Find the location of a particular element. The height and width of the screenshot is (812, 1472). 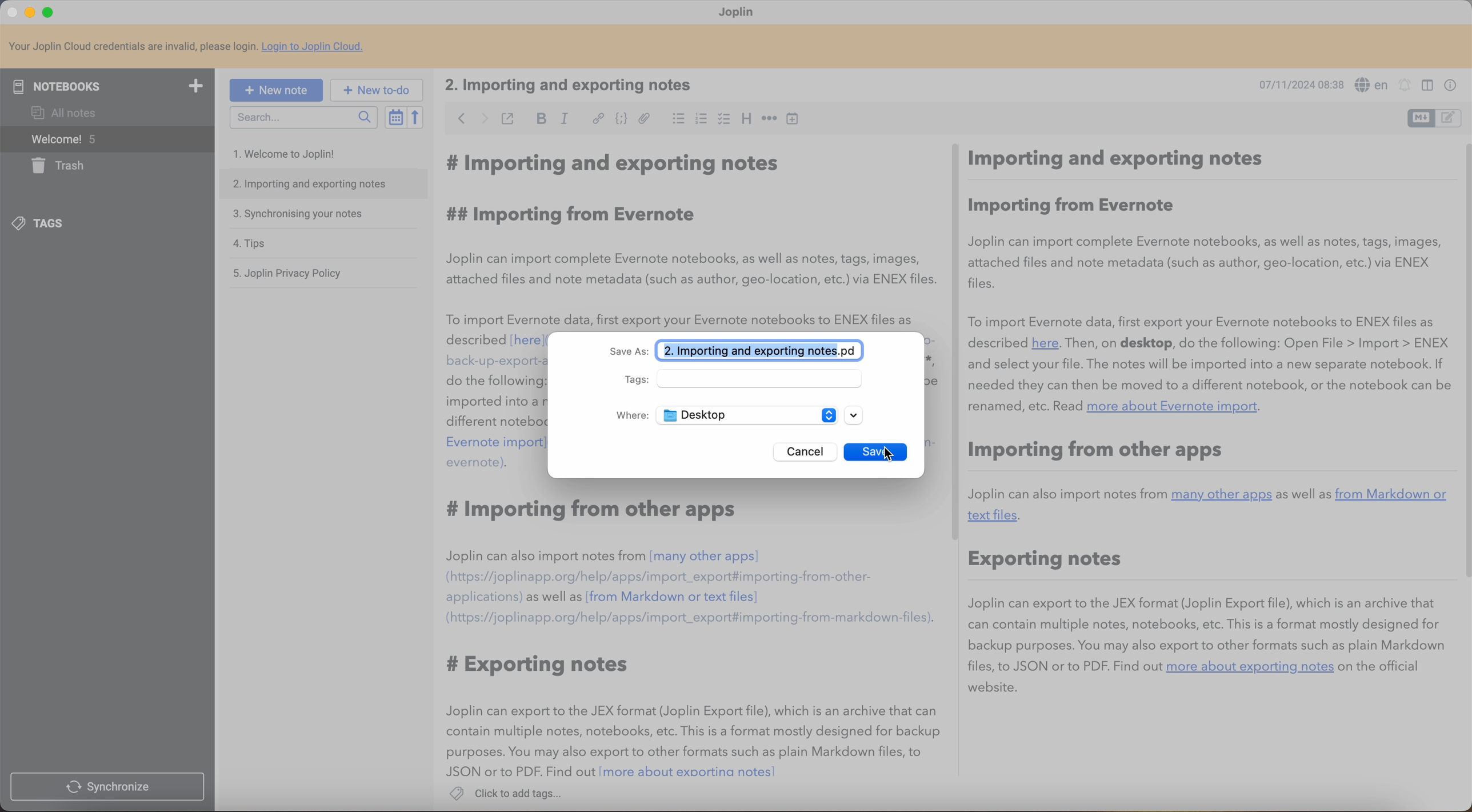

welcome to Joplin note is located at coordinates (290, 154).